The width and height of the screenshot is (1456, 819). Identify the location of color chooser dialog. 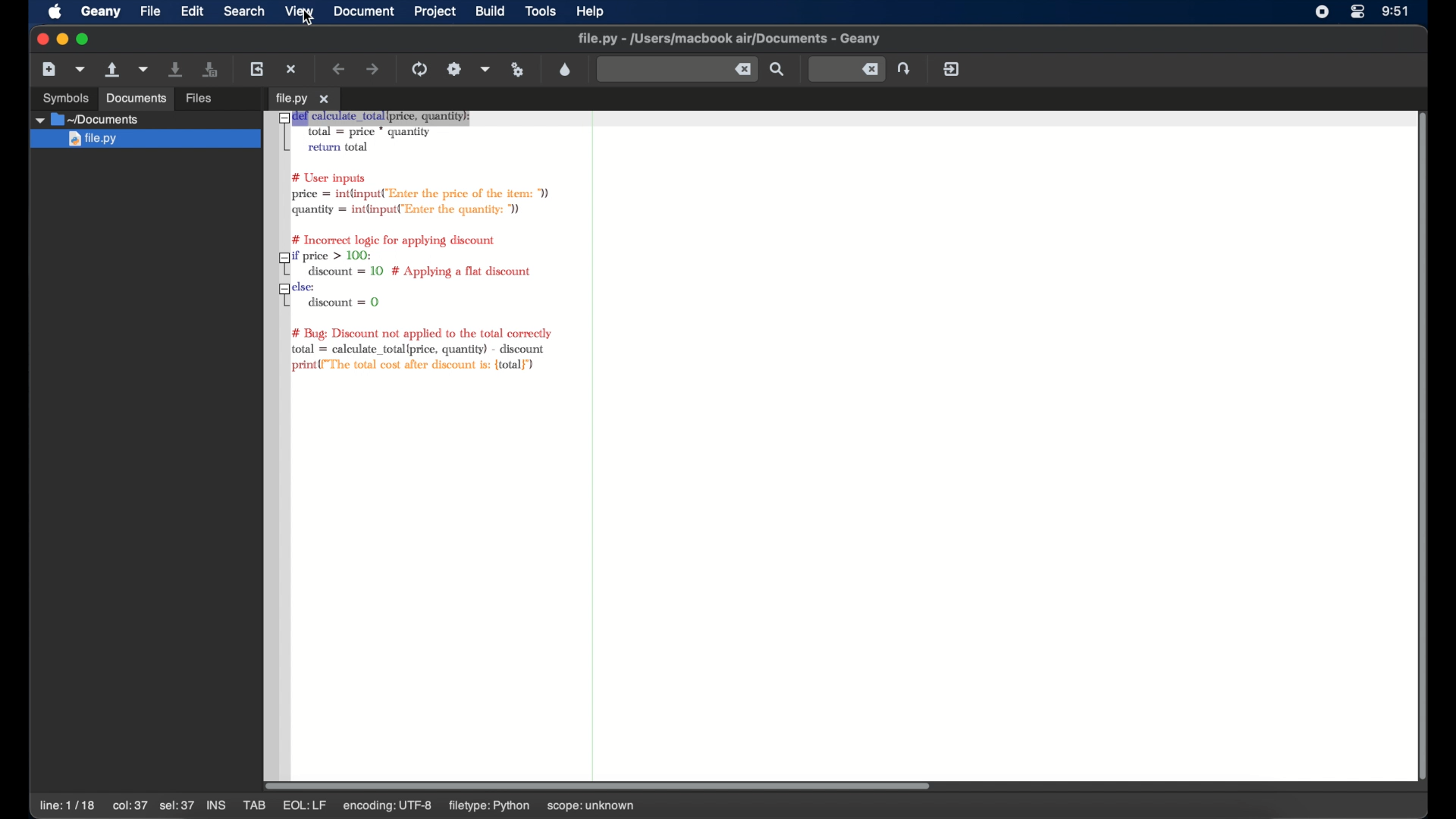
(566, 70).